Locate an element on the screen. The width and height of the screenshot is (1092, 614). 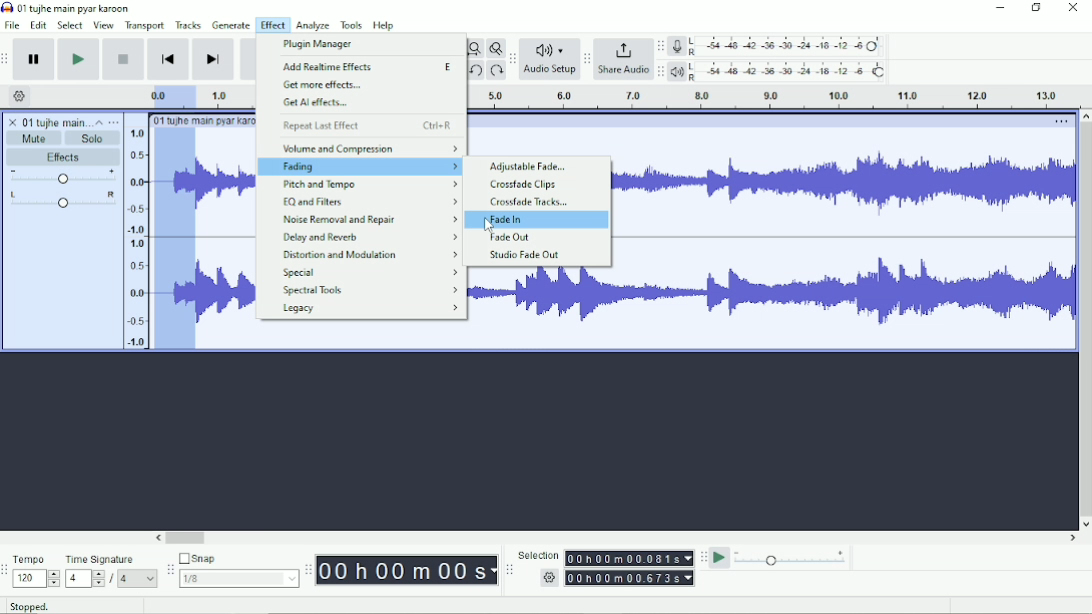
Playback speed is located at coordinates (791, 560).